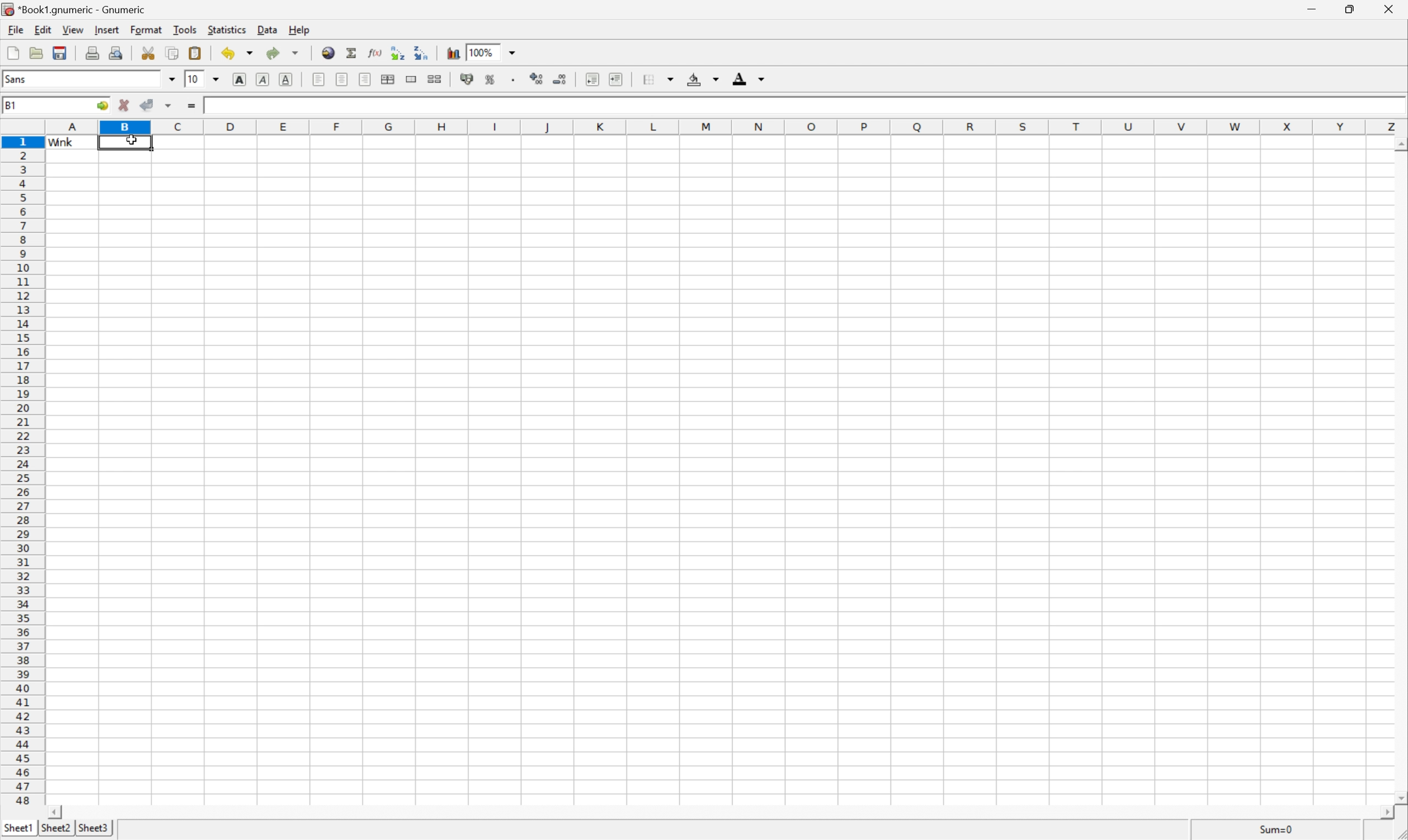 Image resolution: width=1408 pixels, height=840 pixels. Describe the element at coordinates (1399, 798) in the screenshot. I see `scroll down` at that location.